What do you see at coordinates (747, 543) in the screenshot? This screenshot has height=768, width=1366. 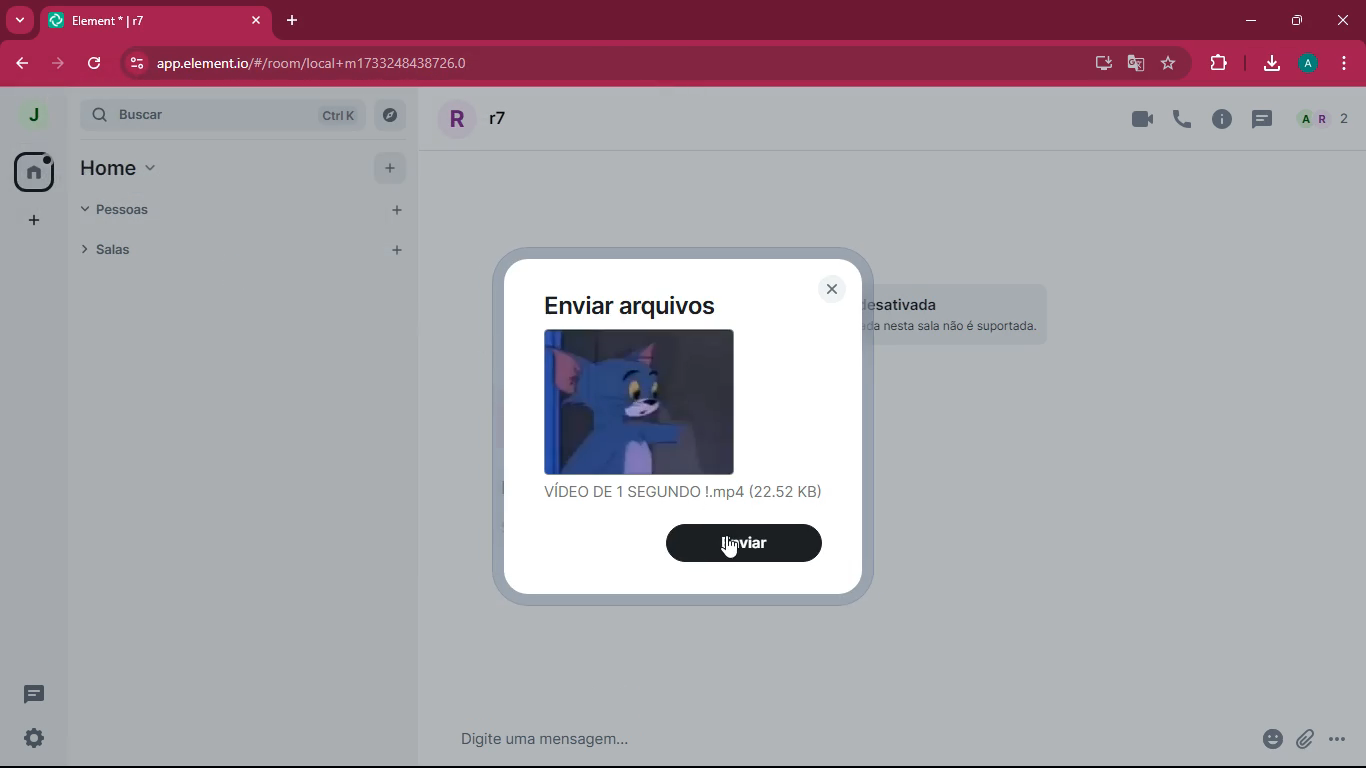 I see `ilaviar` at bounding box center [747, 543].